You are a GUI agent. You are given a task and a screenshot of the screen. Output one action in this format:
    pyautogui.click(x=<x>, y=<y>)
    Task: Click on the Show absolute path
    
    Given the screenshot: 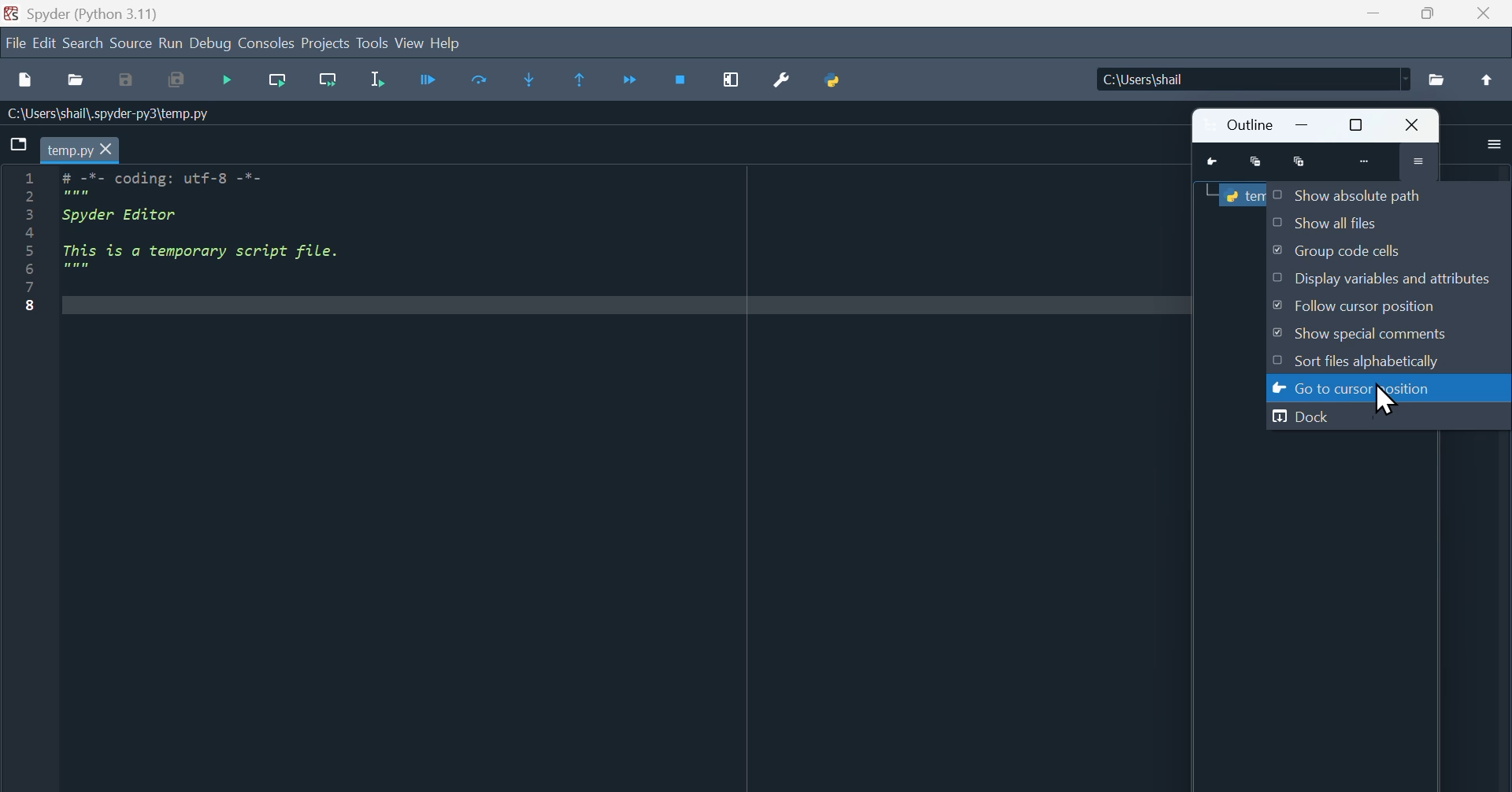 What is the action you would take?
    pyautogui.click(x=1354, y=194)
    